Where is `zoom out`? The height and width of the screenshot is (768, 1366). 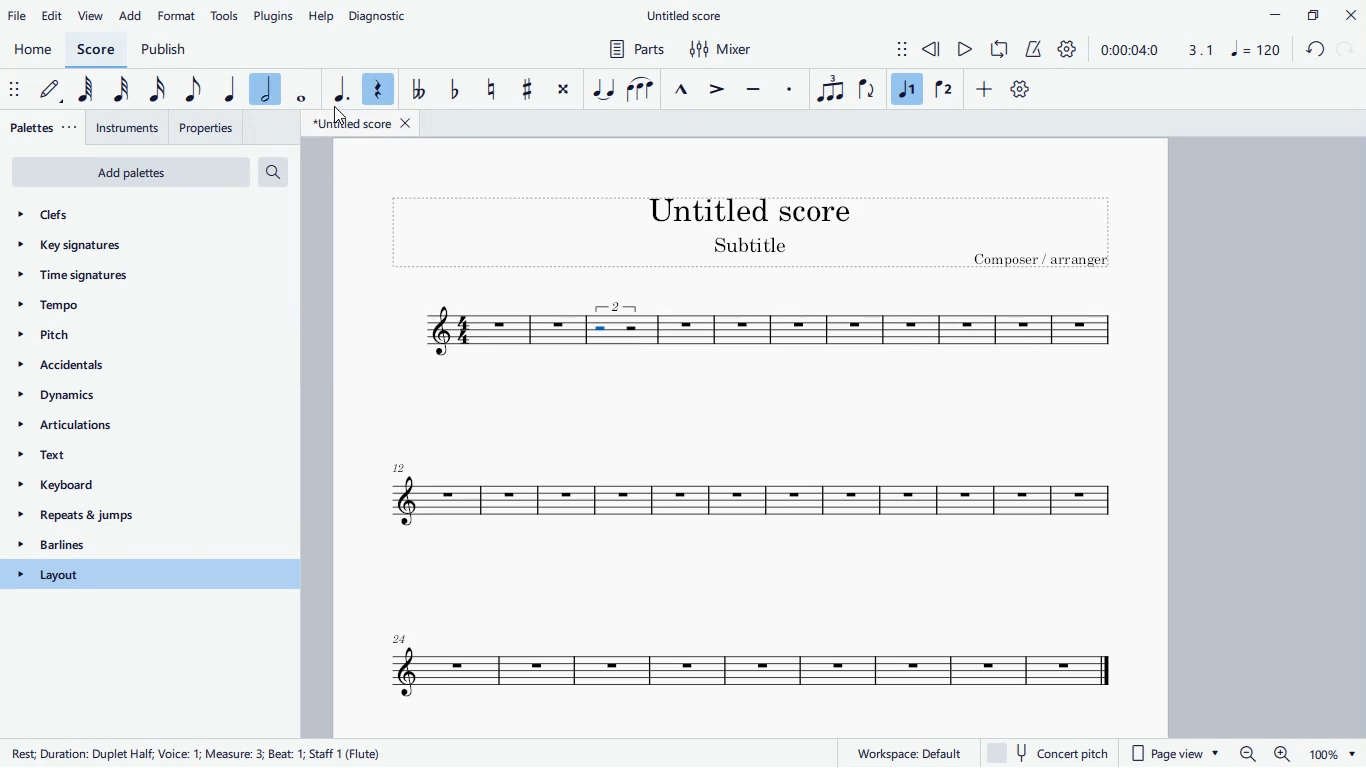 zoom out is located at coordinates (1247, 754).